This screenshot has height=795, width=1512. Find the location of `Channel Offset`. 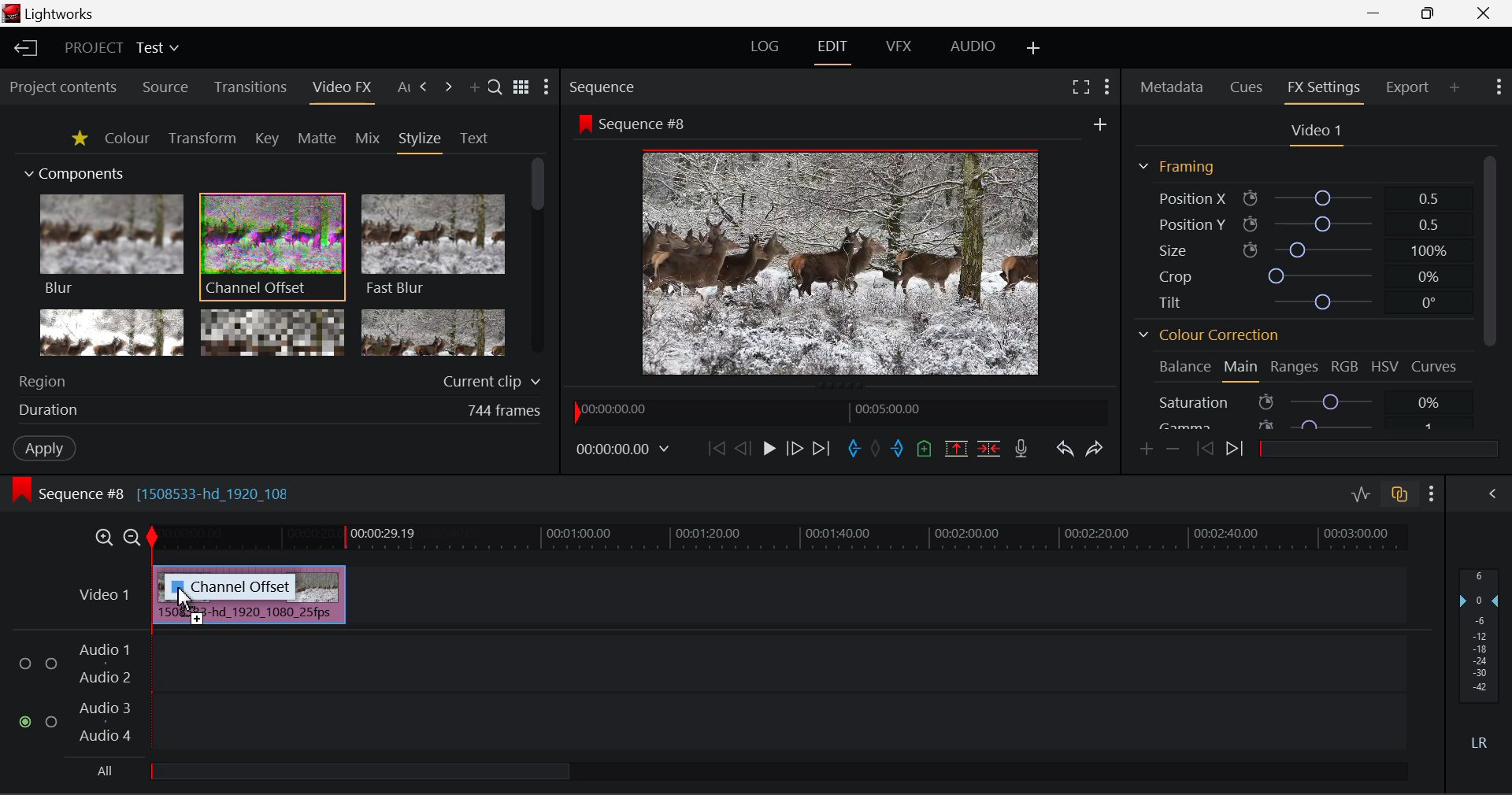

Channel Offset is located at coordinates (272, 248).